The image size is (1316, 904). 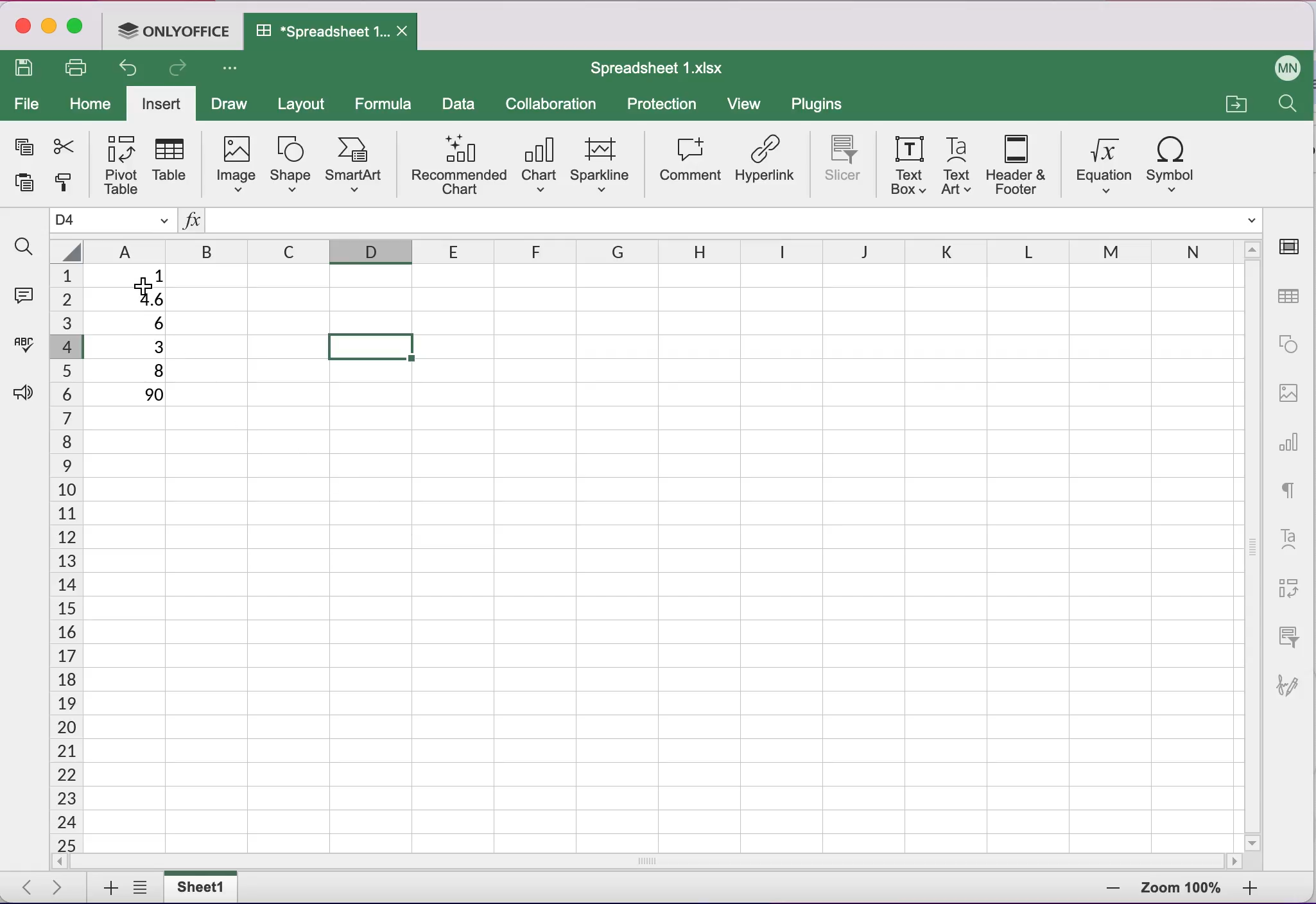 What do you see at coordinates (746, 220) in the screenshot?
I see `Formula bar` at bounding box center [746, 220].